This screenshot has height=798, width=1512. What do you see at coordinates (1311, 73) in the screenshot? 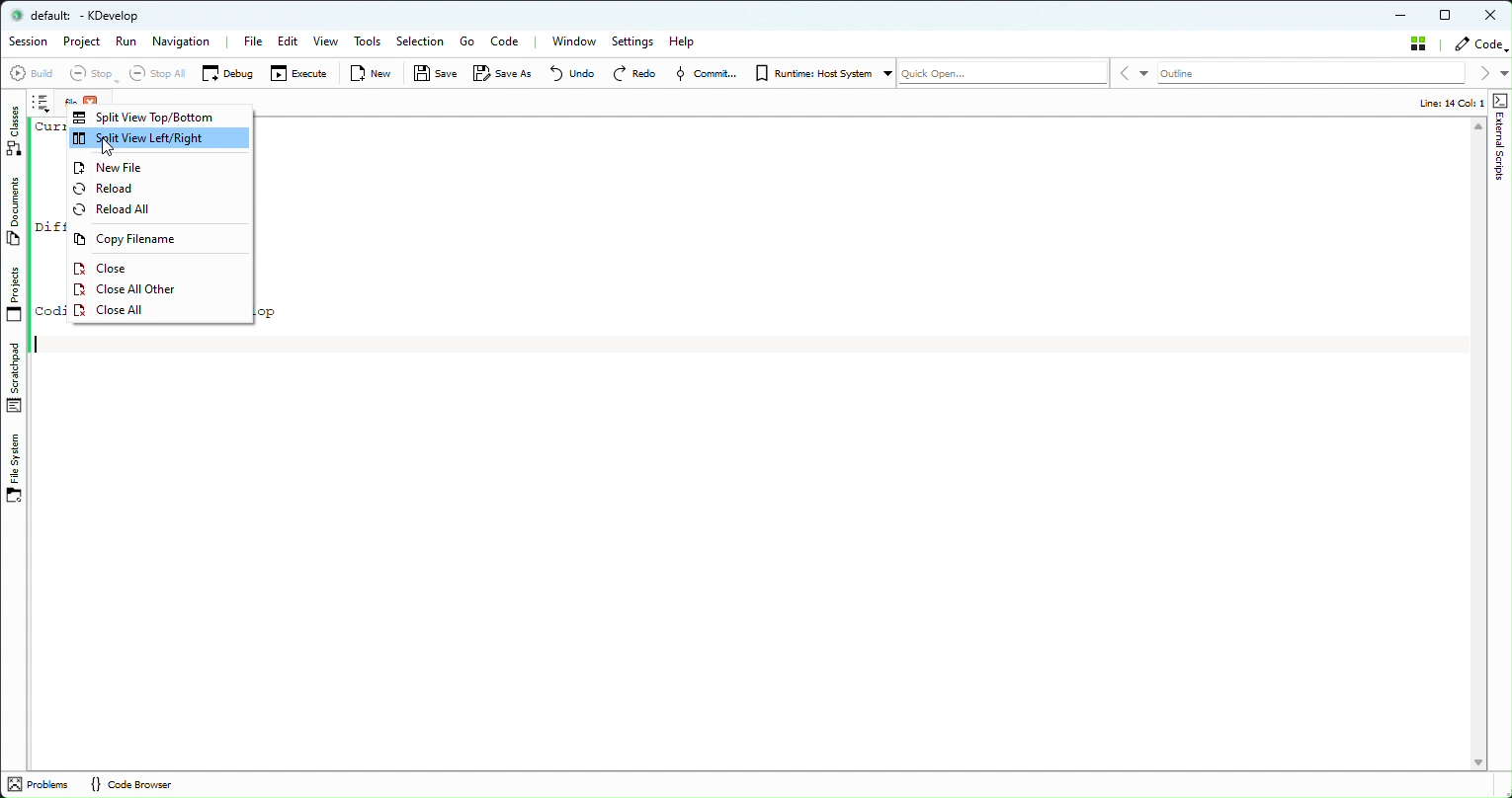
I see `Outline` at bounding box center [1311, 73].